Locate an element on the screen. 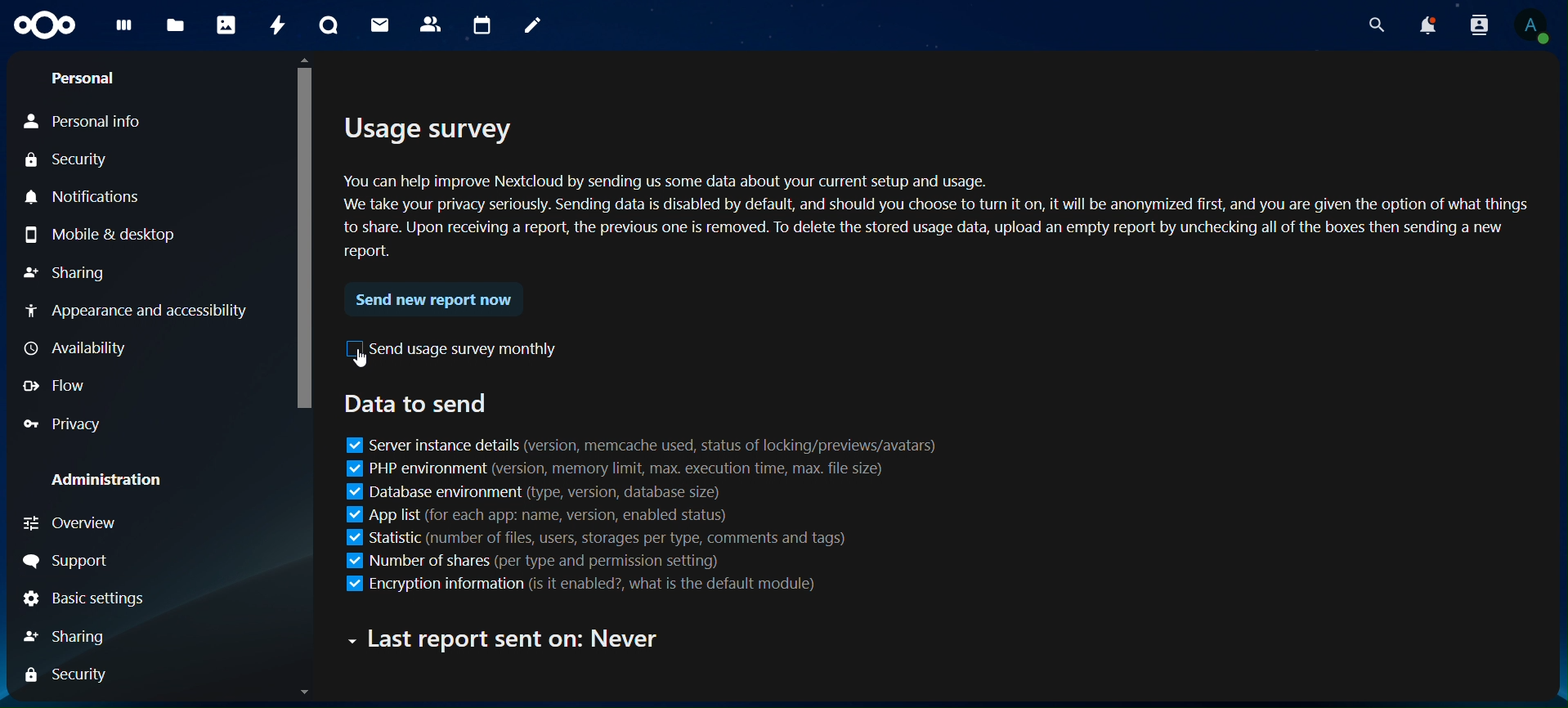 The image size is (1568, 708). Security is located at coordinates (62, 675).